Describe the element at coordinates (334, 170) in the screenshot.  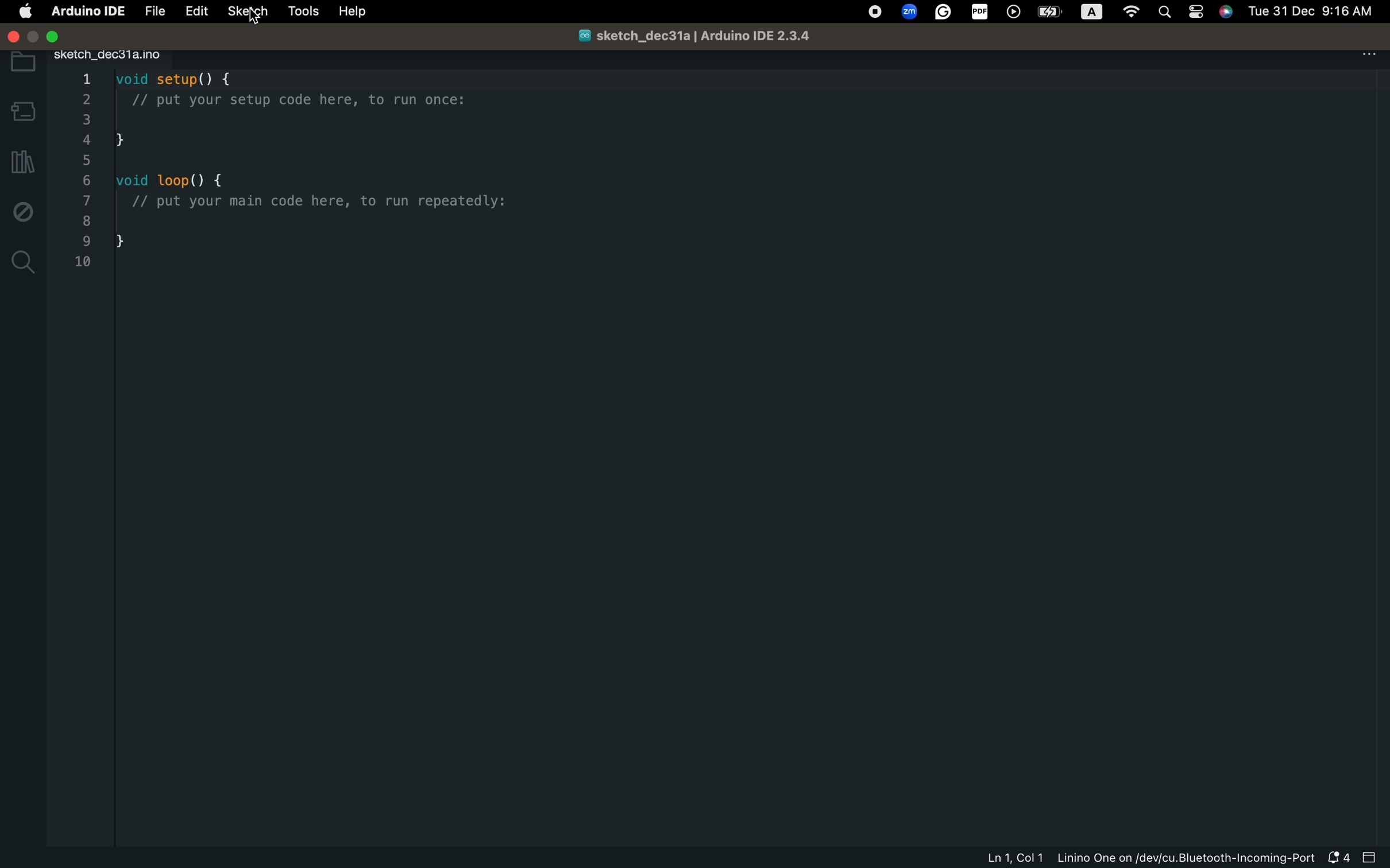
I see `code` at that location.